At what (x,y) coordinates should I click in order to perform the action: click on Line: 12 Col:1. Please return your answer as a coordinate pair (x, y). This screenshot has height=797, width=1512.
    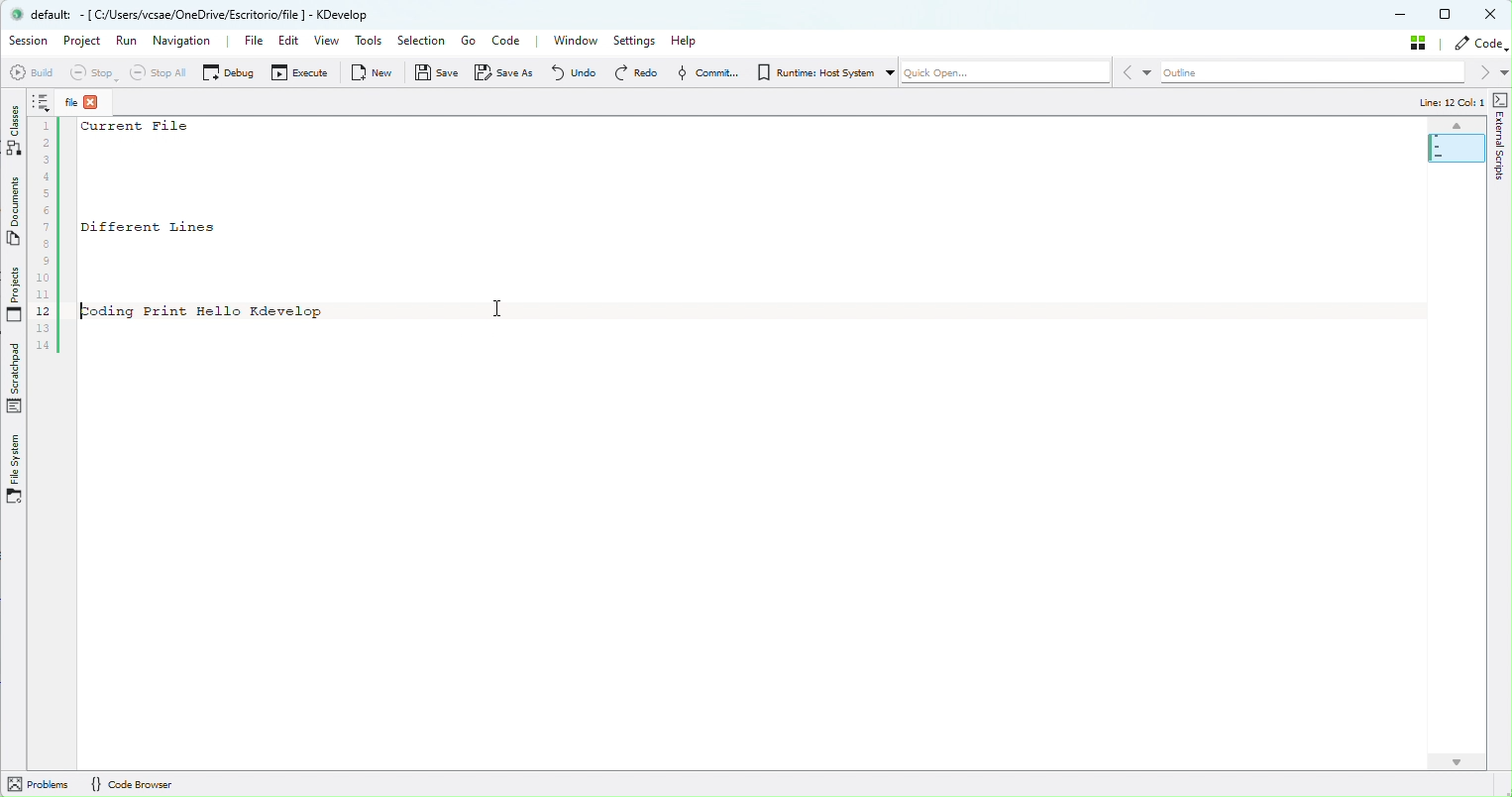
    Looking at the image, I should click on (1441, 101).